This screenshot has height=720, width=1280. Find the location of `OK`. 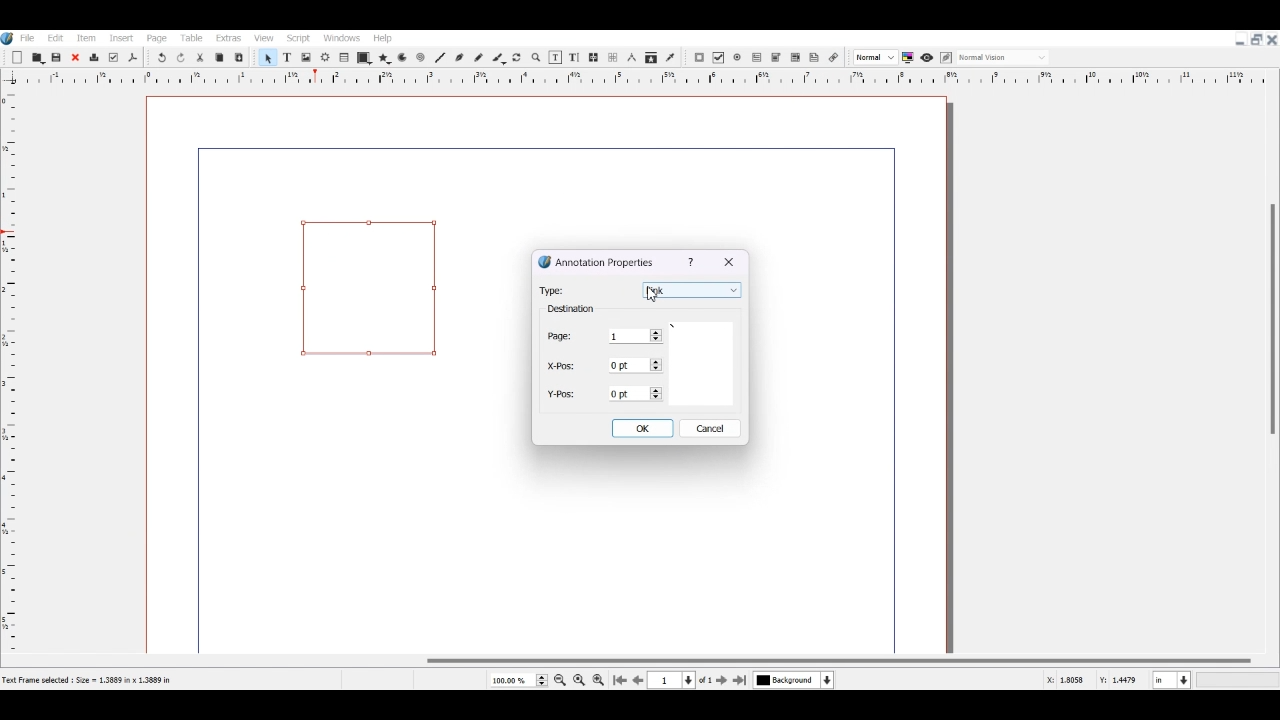

OK is located at coordinates (642, 428).